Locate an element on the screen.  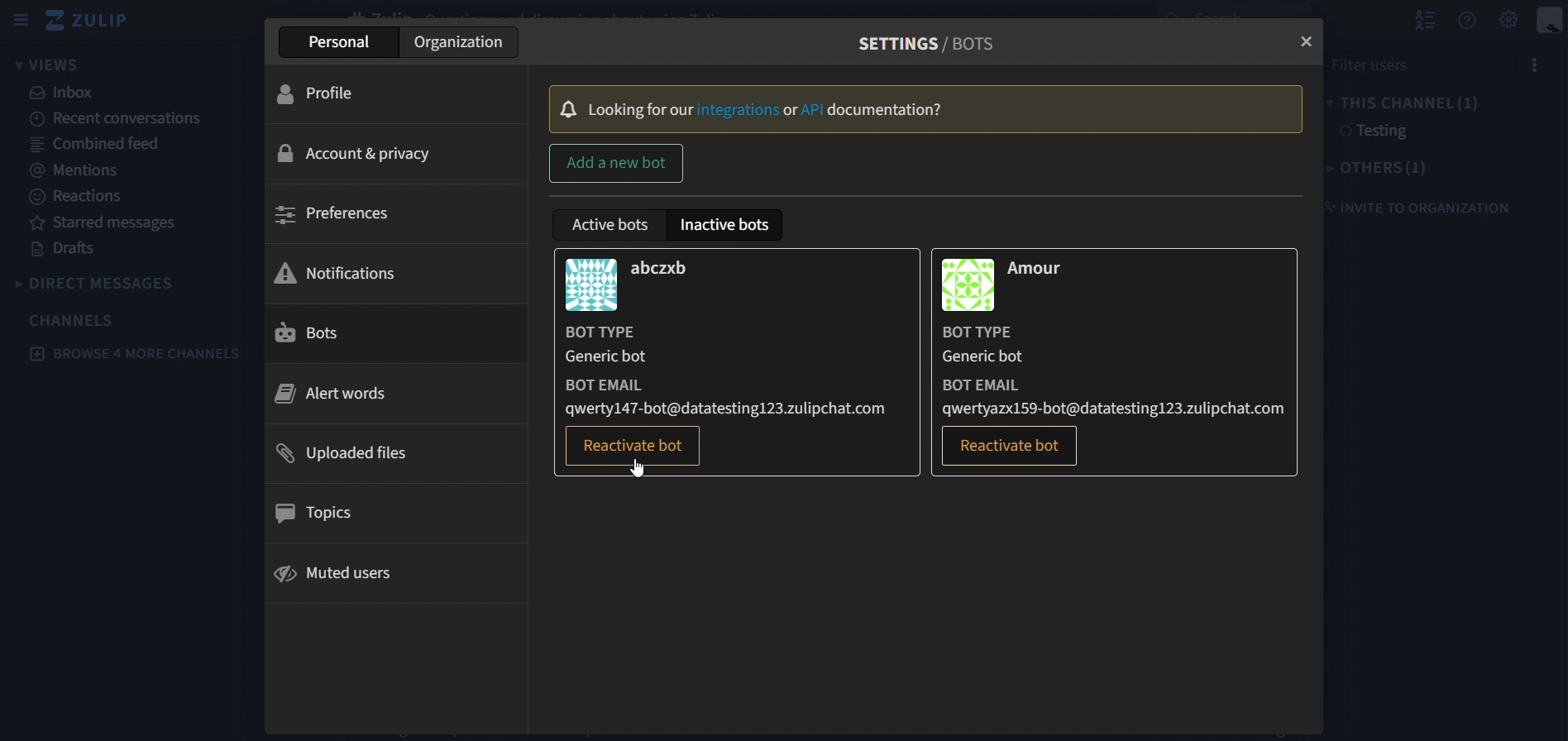
hide sidebar is located at coordinates (17, 22).